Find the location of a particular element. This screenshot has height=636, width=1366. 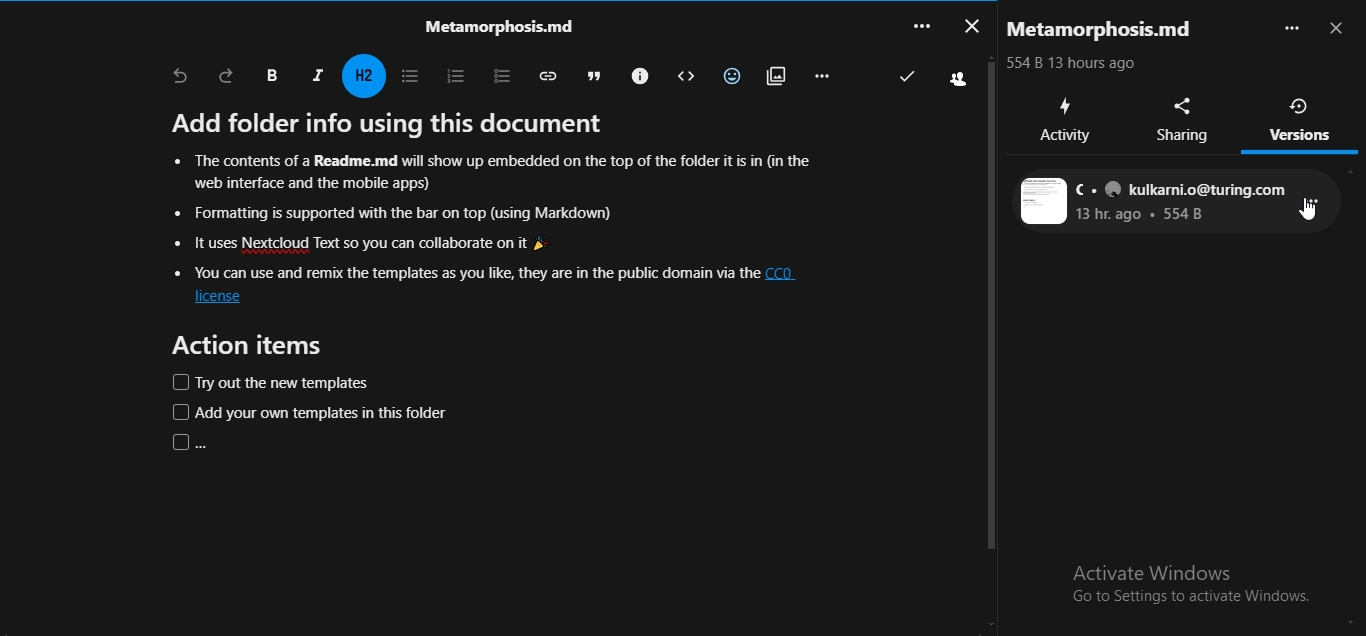

versions is located at coordinates (1301, 119).